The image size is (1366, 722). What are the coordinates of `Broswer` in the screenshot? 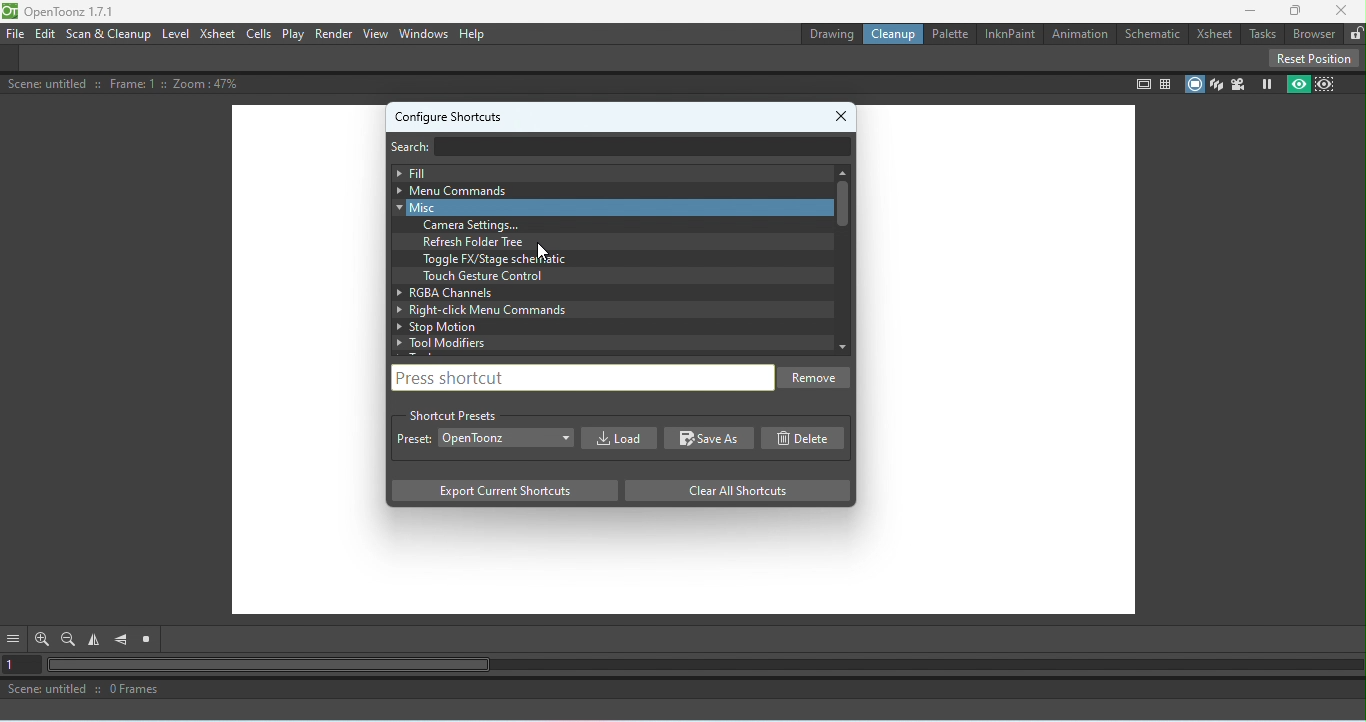 It's located at (1315, 33).